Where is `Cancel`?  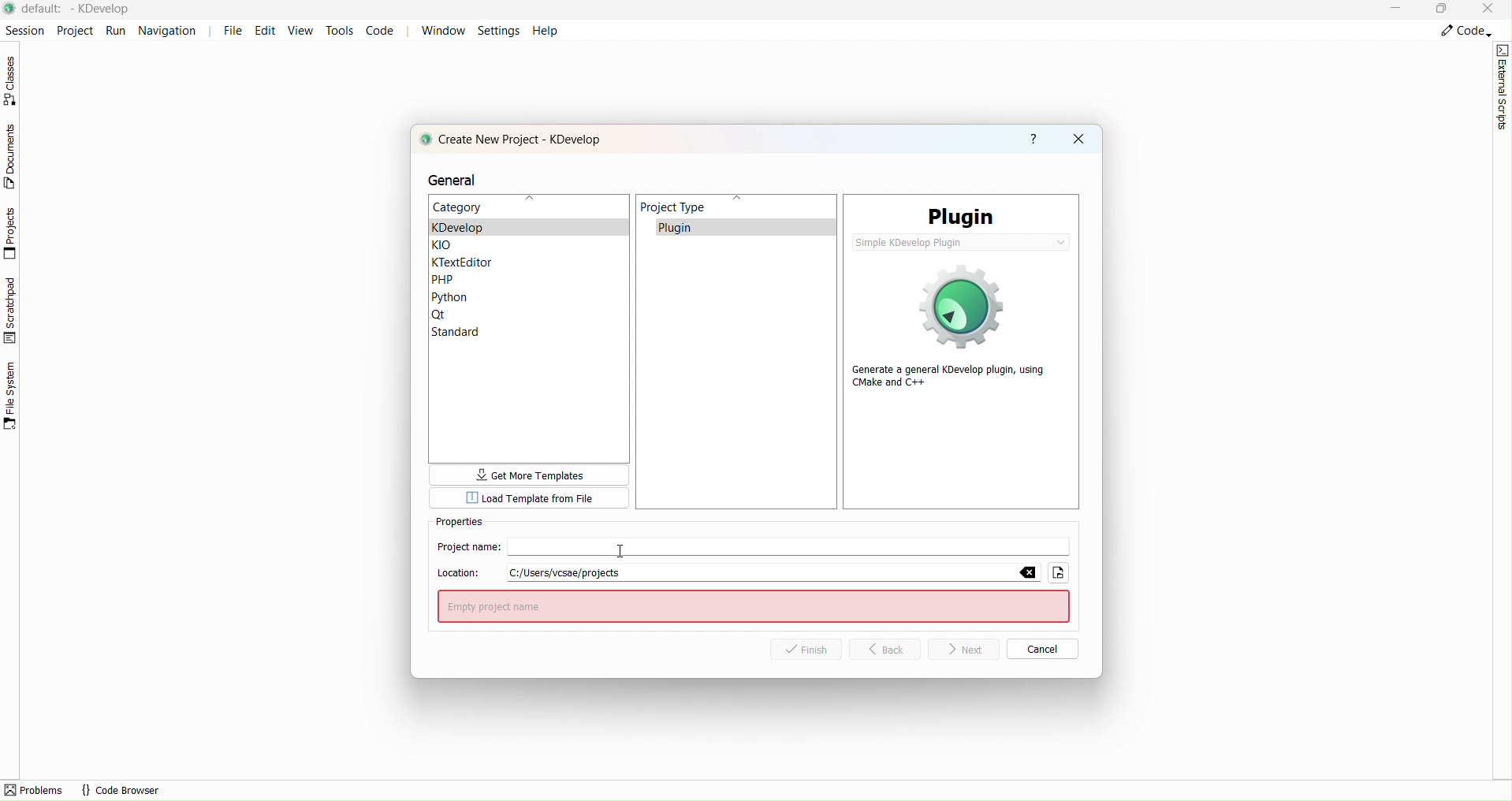
Cancel is located at coordinates (1041, 651).